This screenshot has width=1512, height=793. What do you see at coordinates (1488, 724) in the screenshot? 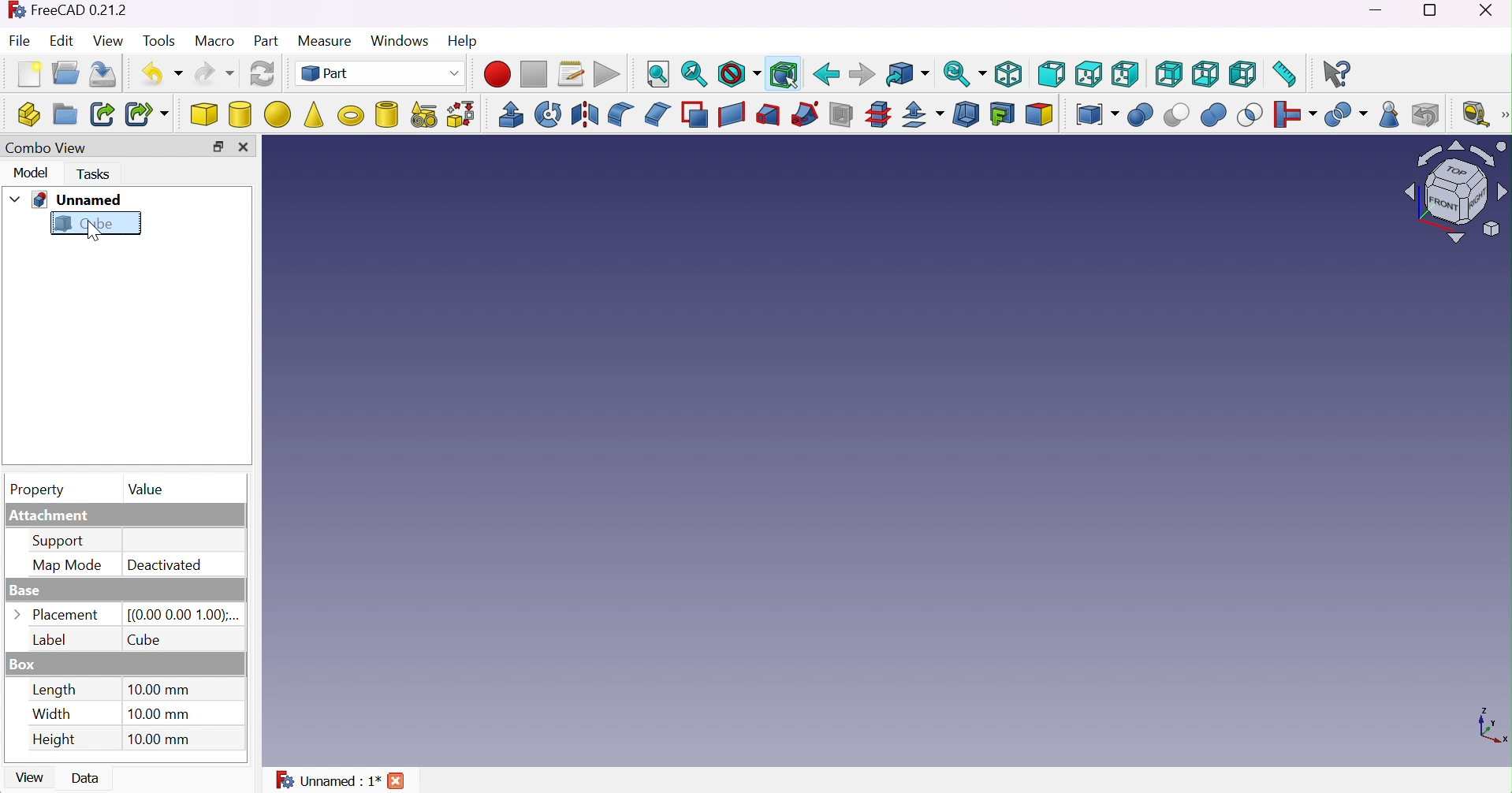
I see `x ,yaxis` at bounding box center [1488, 724].